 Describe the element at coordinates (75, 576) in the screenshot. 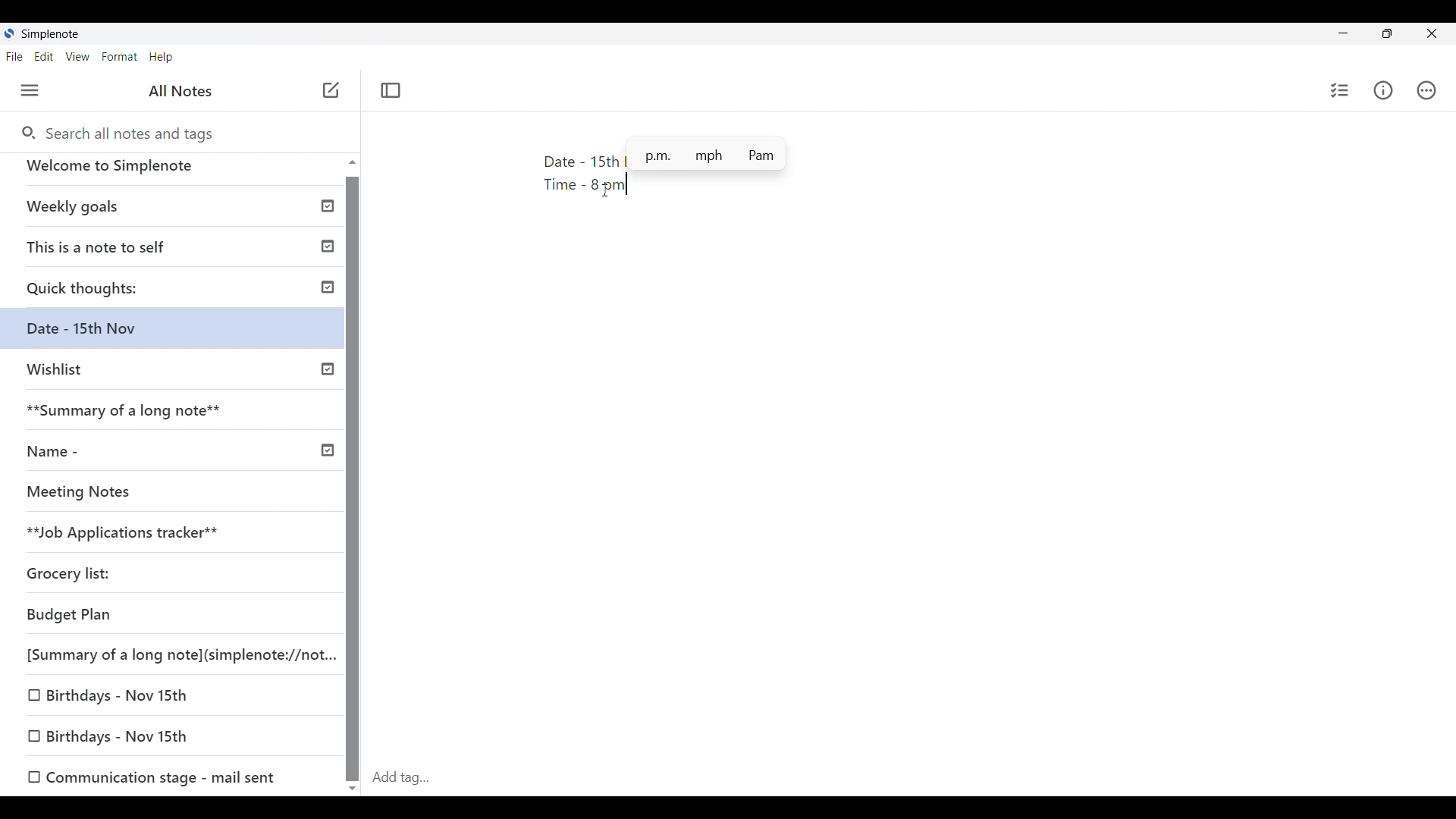

I see `Unpublished note` at that location.